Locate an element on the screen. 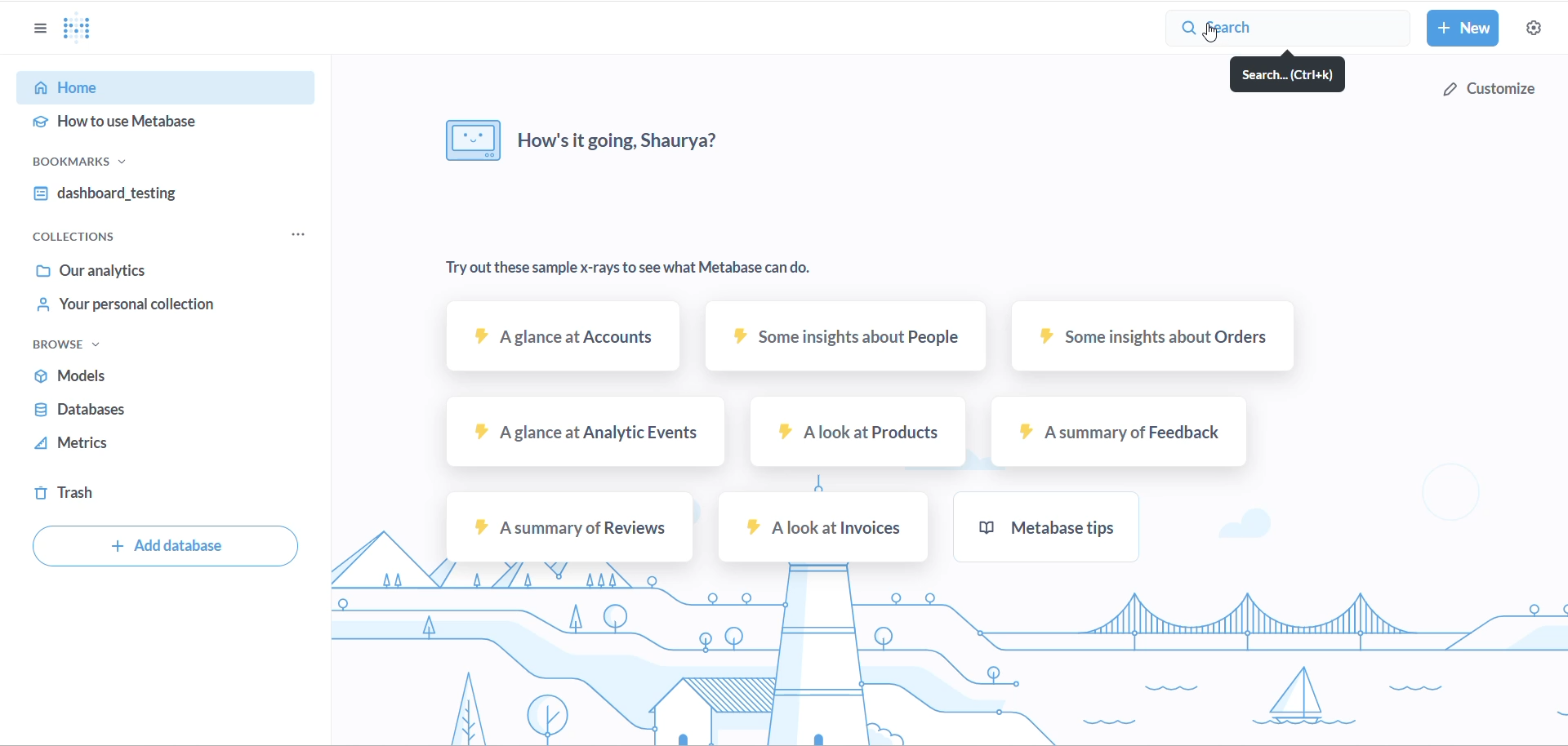  some insights about people is located at coordinates (842, 339).